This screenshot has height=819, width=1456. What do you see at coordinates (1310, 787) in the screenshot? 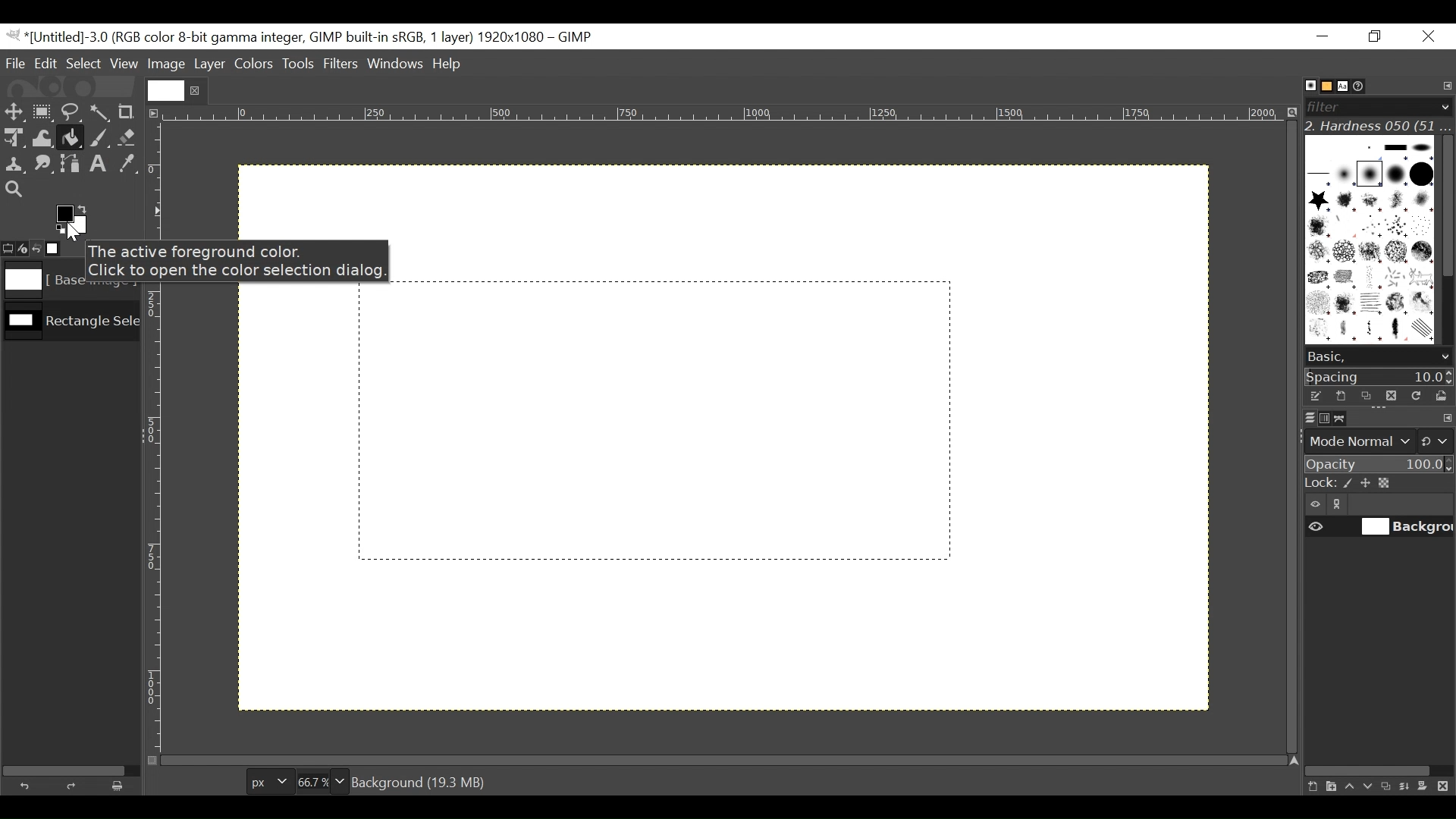
I see `Create a new layer with last used values` at bounding box center [1310, 787].